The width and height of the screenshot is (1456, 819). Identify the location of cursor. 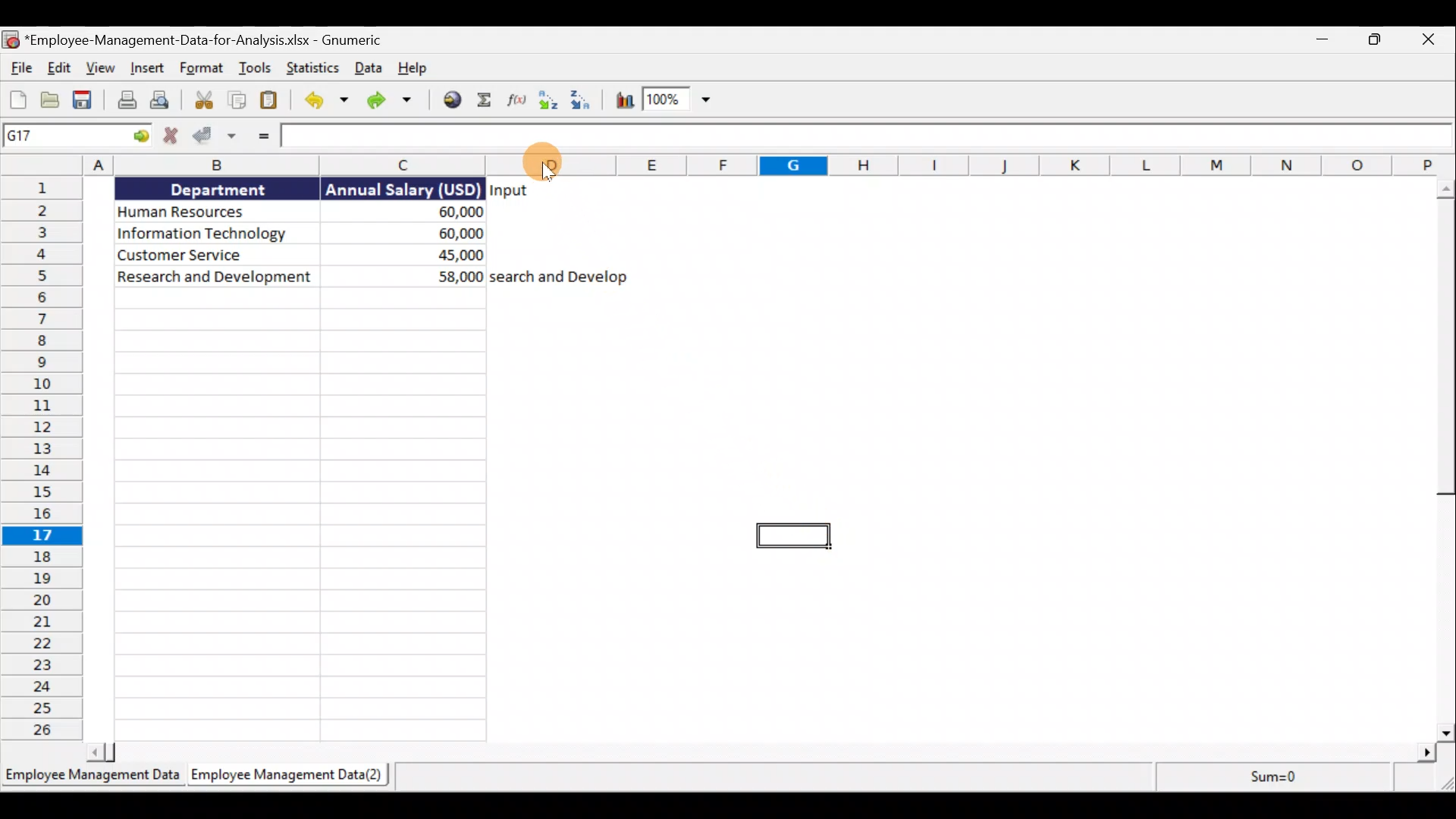
(545, 165).